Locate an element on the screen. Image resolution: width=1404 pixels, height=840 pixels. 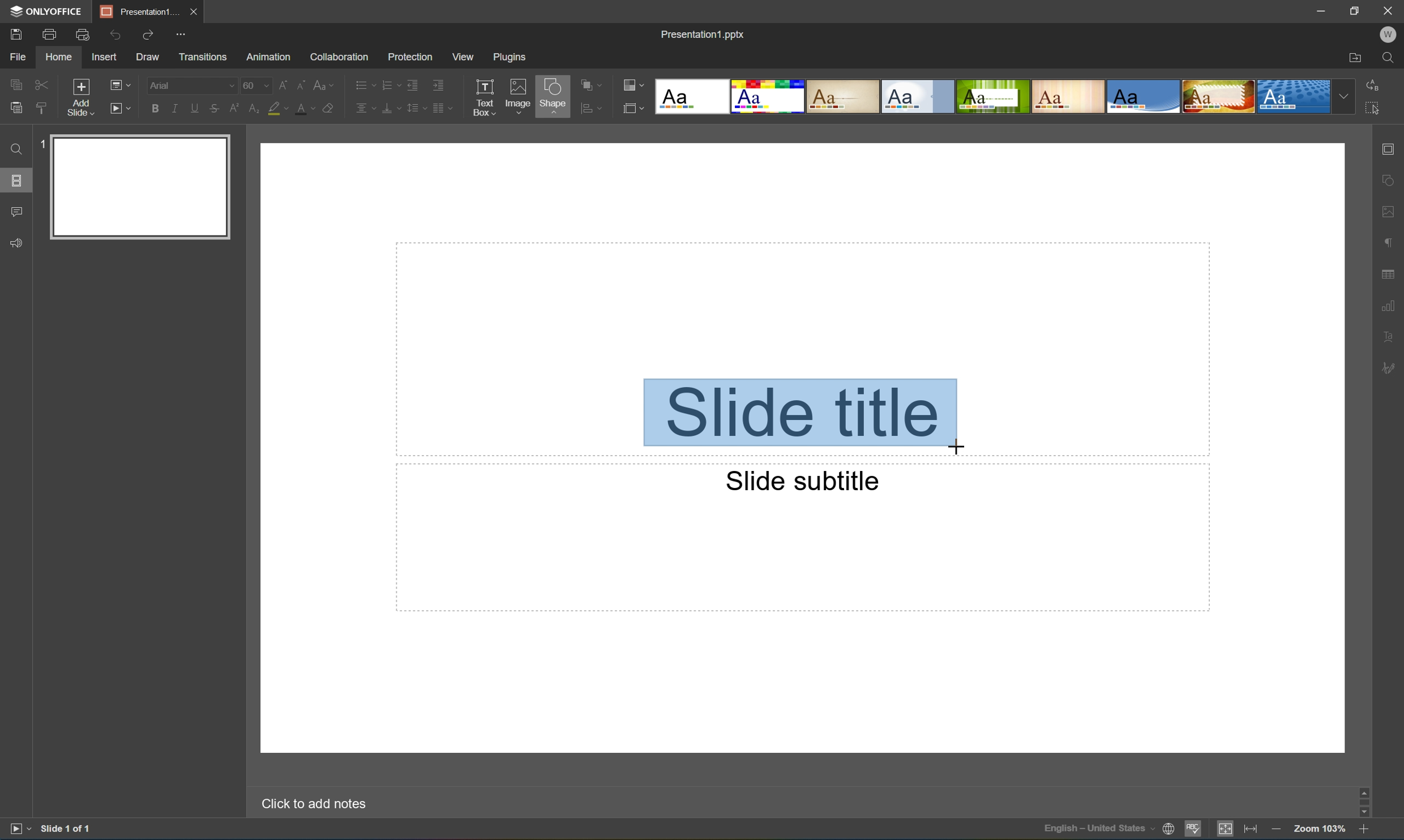
File is located at coordinates (21, 58).